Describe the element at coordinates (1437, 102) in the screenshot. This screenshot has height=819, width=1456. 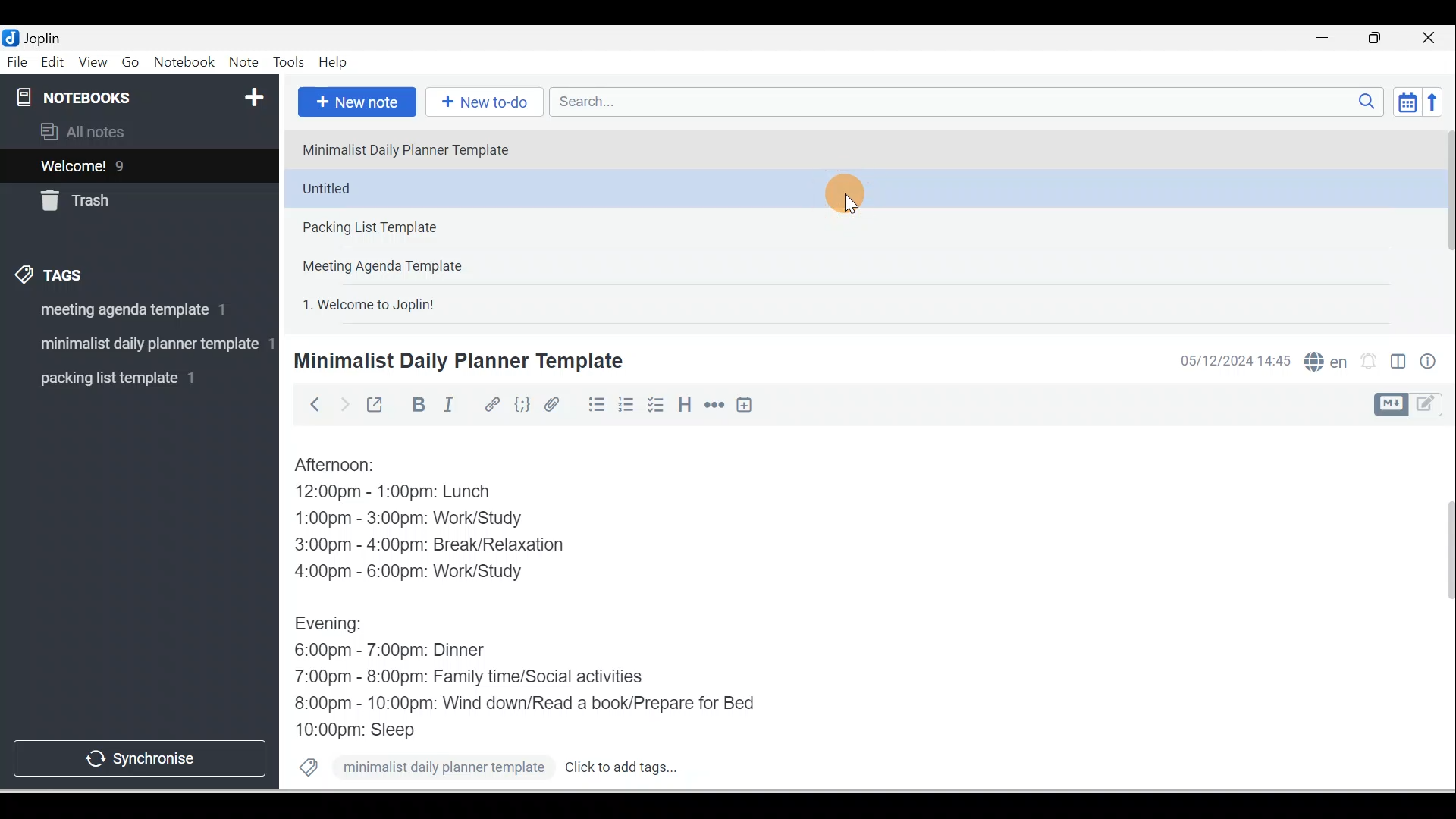
I see `Reverse sort` at that location.